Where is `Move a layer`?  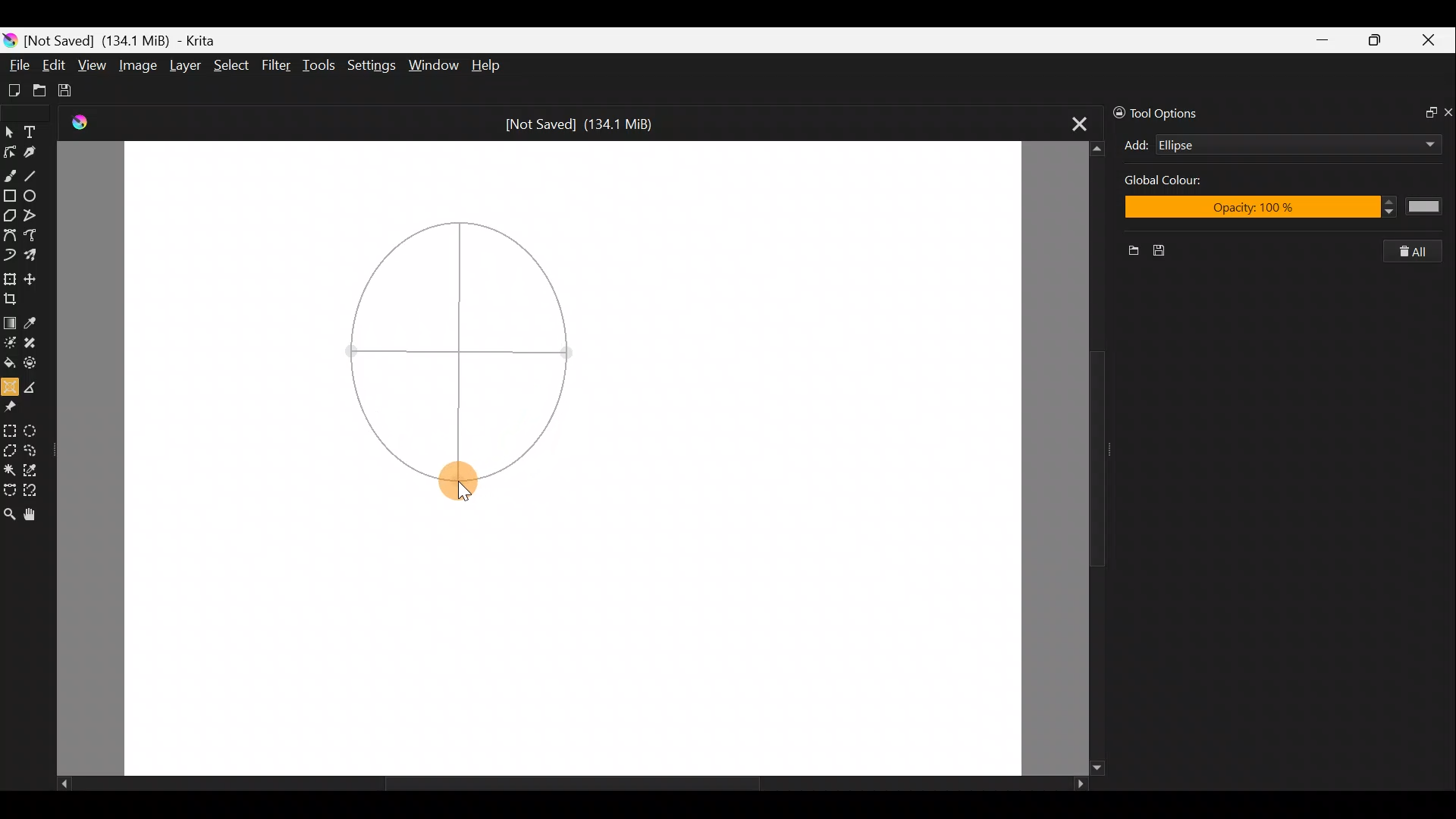 Move a layer is located at coordinates (33, 276).